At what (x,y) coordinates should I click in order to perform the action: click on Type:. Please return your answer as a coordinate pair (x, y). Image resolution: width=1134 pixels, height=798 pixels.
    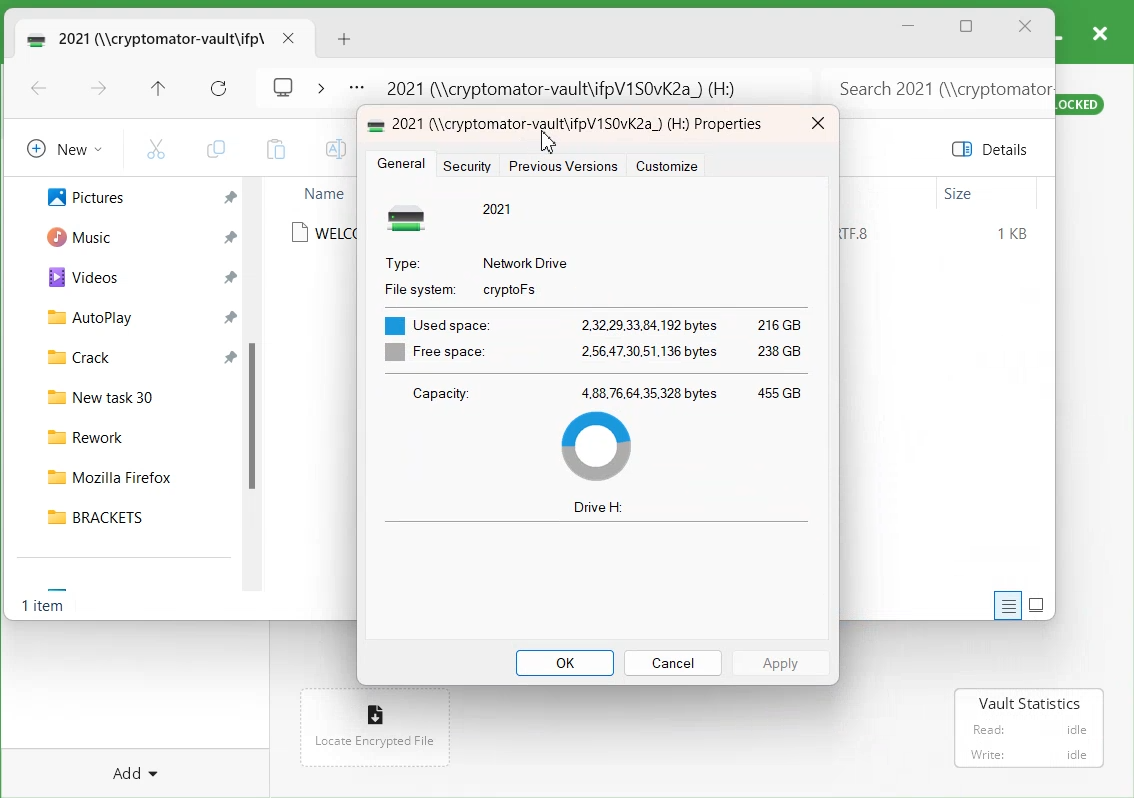
    Looking at the image, I should click on (402, 261).